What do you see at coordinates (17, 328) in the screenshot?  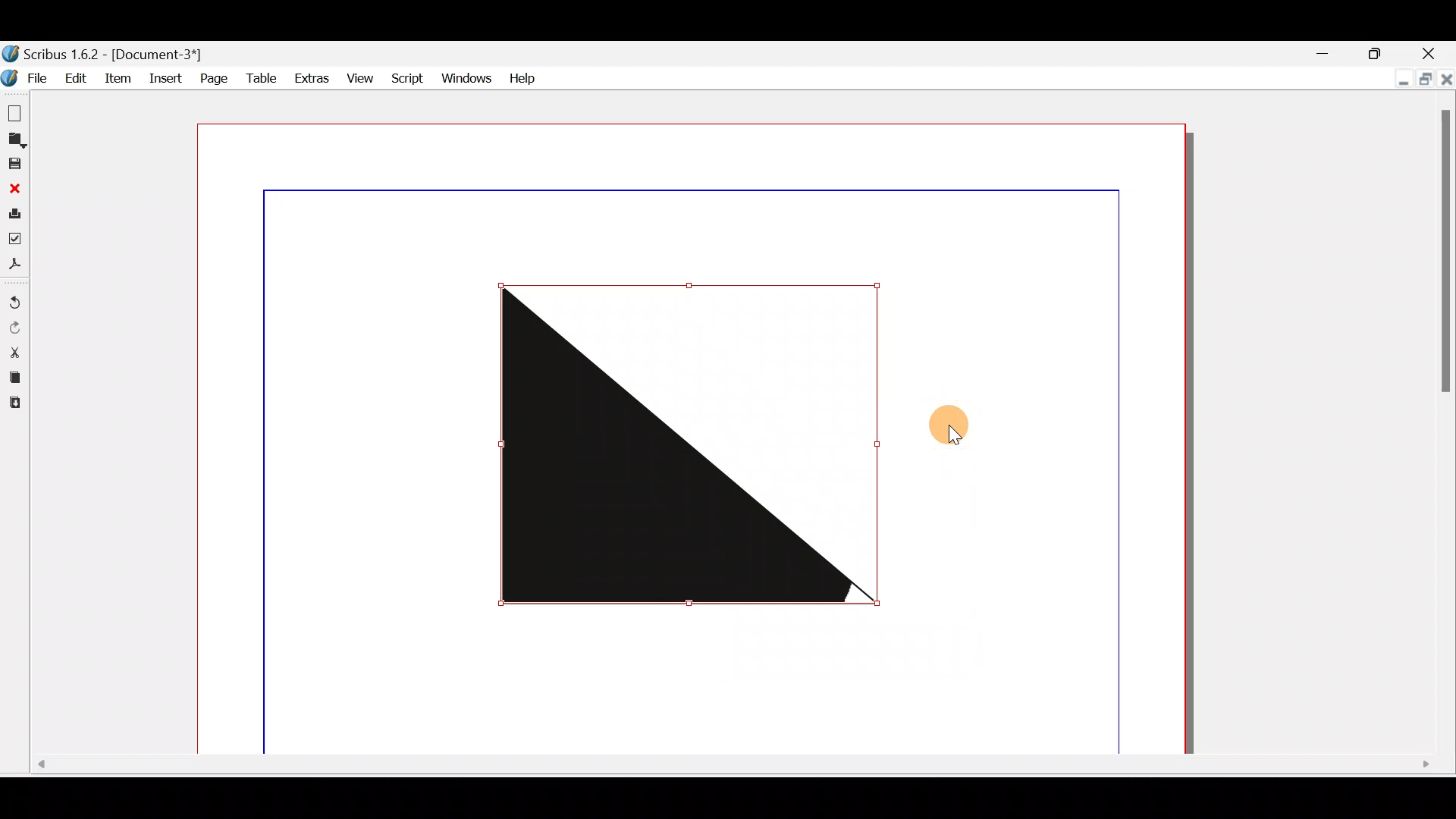 I see `Redo` at bounding box center [17, 328].